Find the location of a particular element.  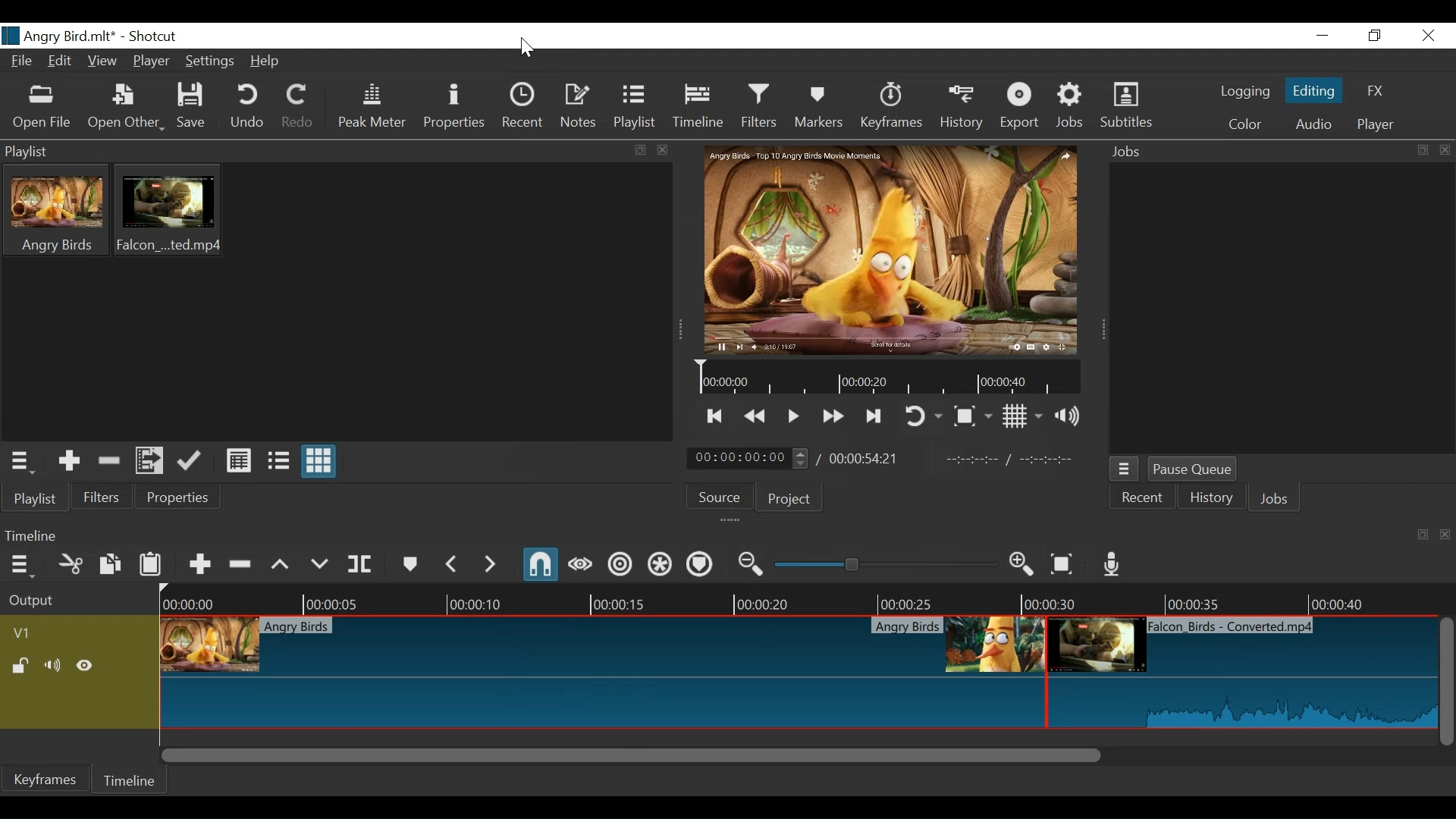

Horizontal Scroll bar is located at coordinates (630, 755).